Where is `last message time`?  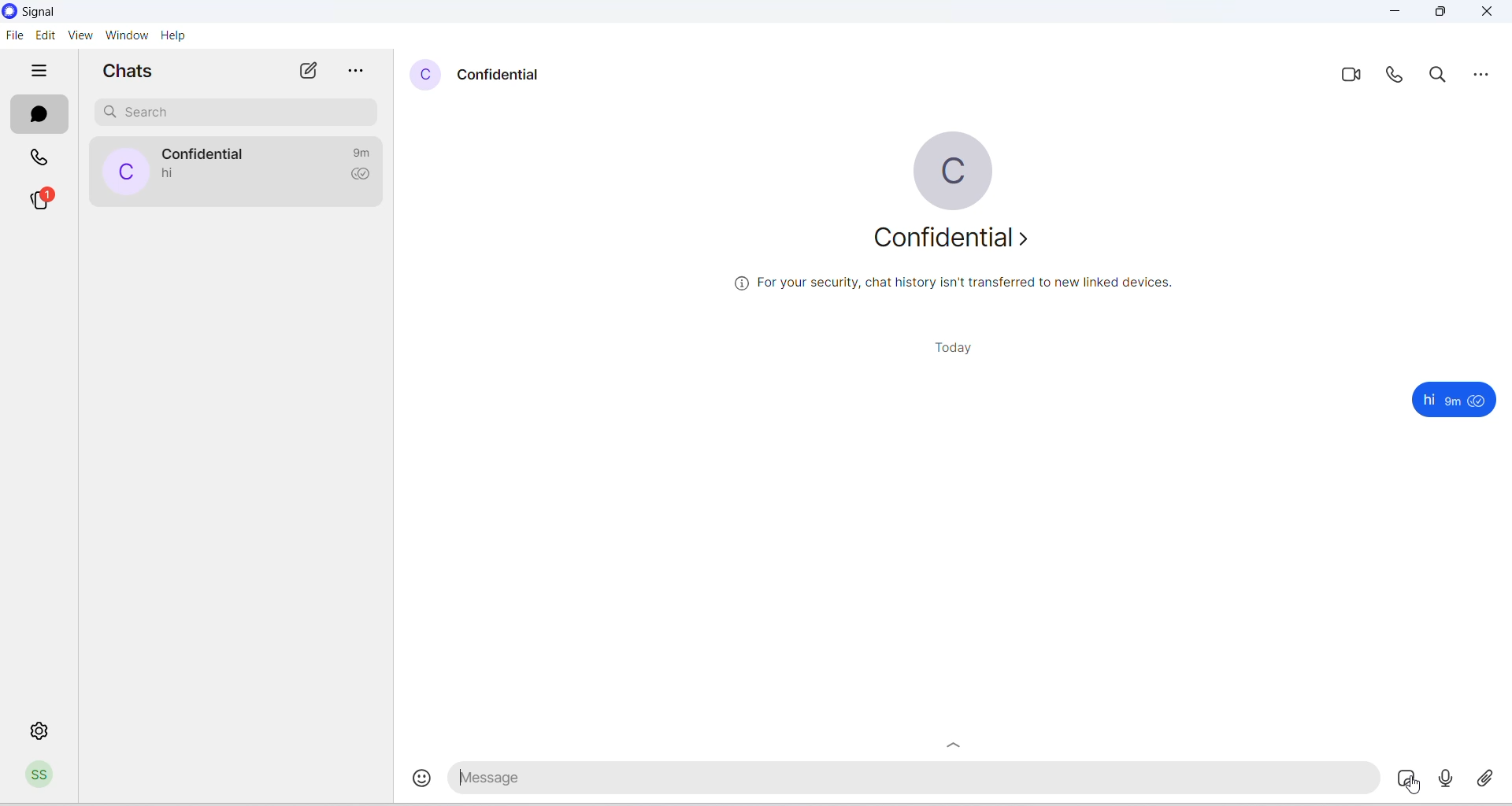 last message time is located at coordinates (365, 151).